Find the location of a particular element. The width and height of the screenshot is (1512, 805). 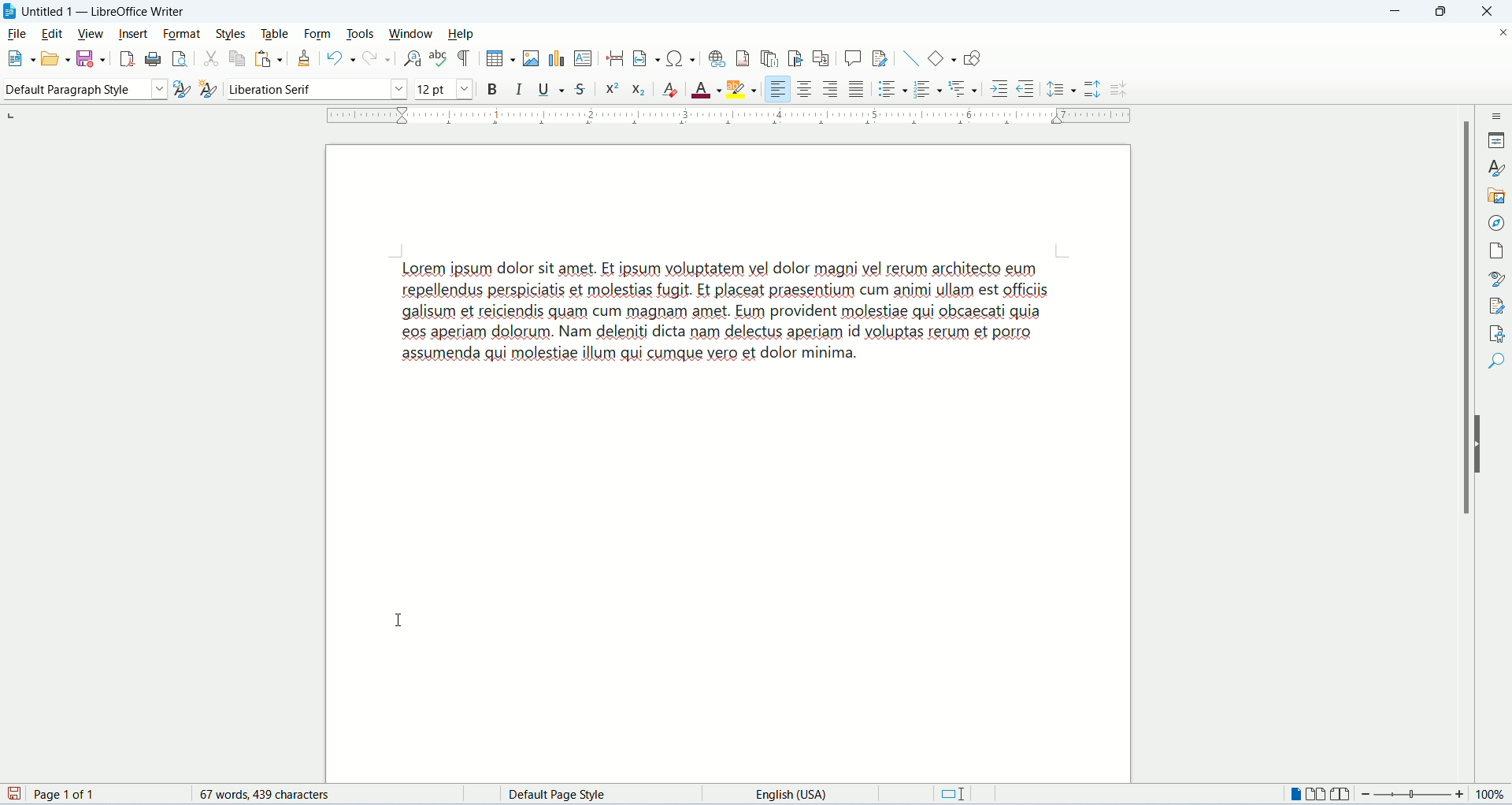

insert endnote is located at coordinates (766, 61).